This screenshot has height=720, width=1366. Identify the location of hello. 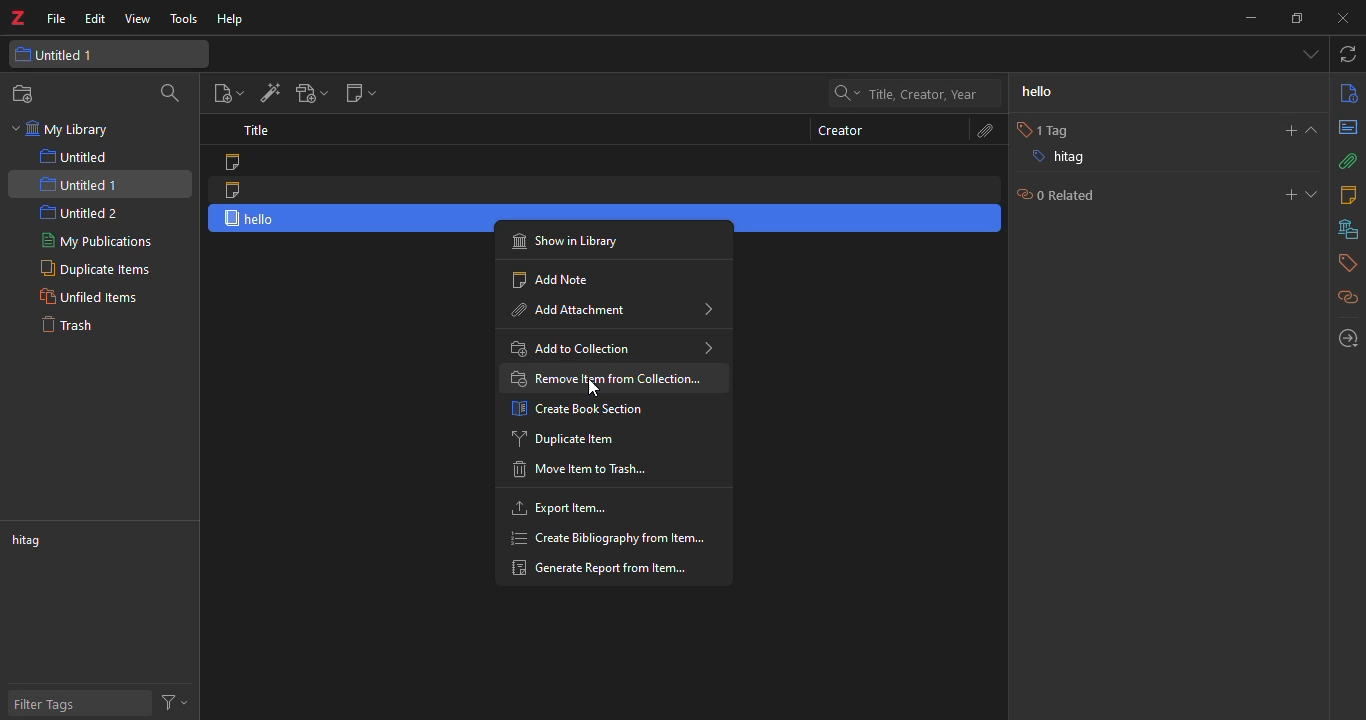
(1052, 91).